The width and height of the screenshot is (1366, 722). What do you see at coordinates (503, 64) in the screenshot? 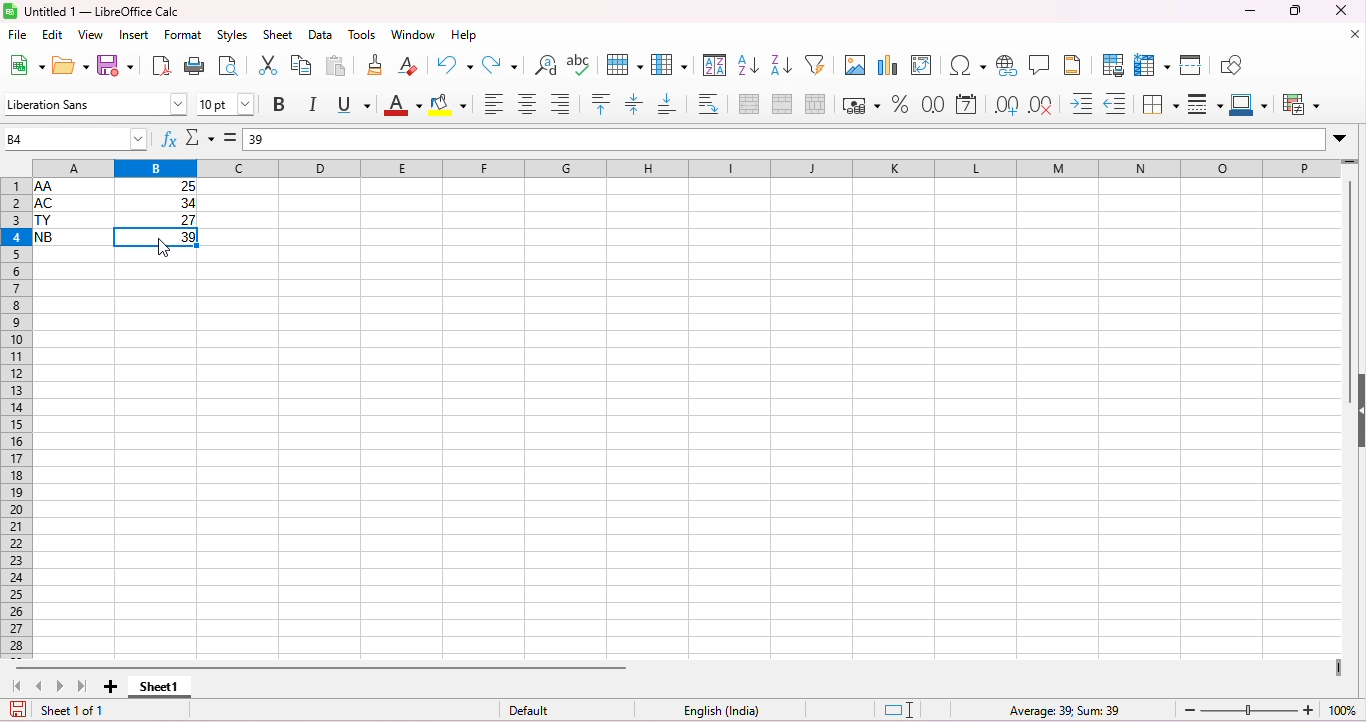
I see `redo` at bounding box center [503, 64].